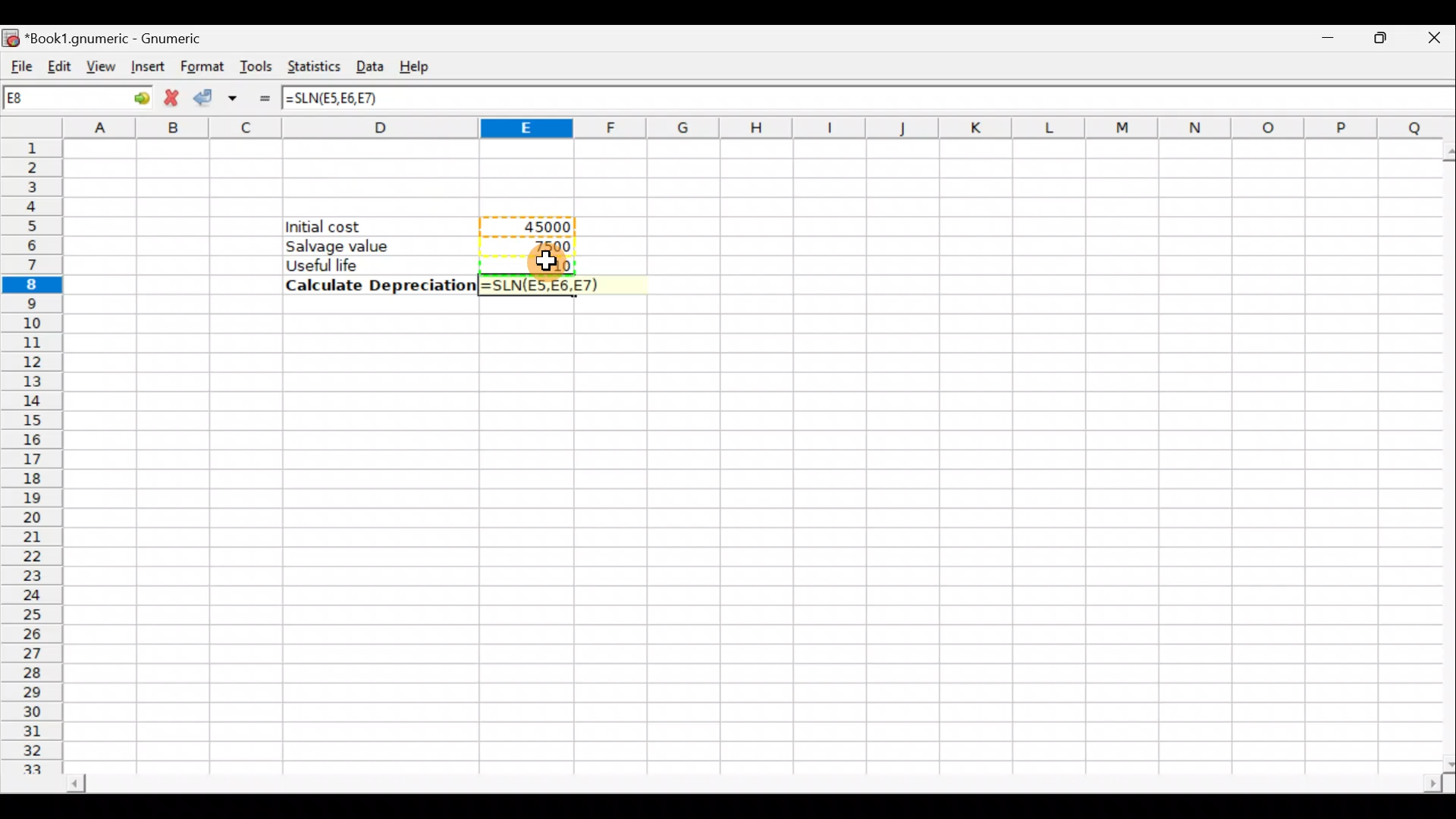  Describe the element at coordinates (51, 101) in the screenshot. I see `Cell name E8` at that location.